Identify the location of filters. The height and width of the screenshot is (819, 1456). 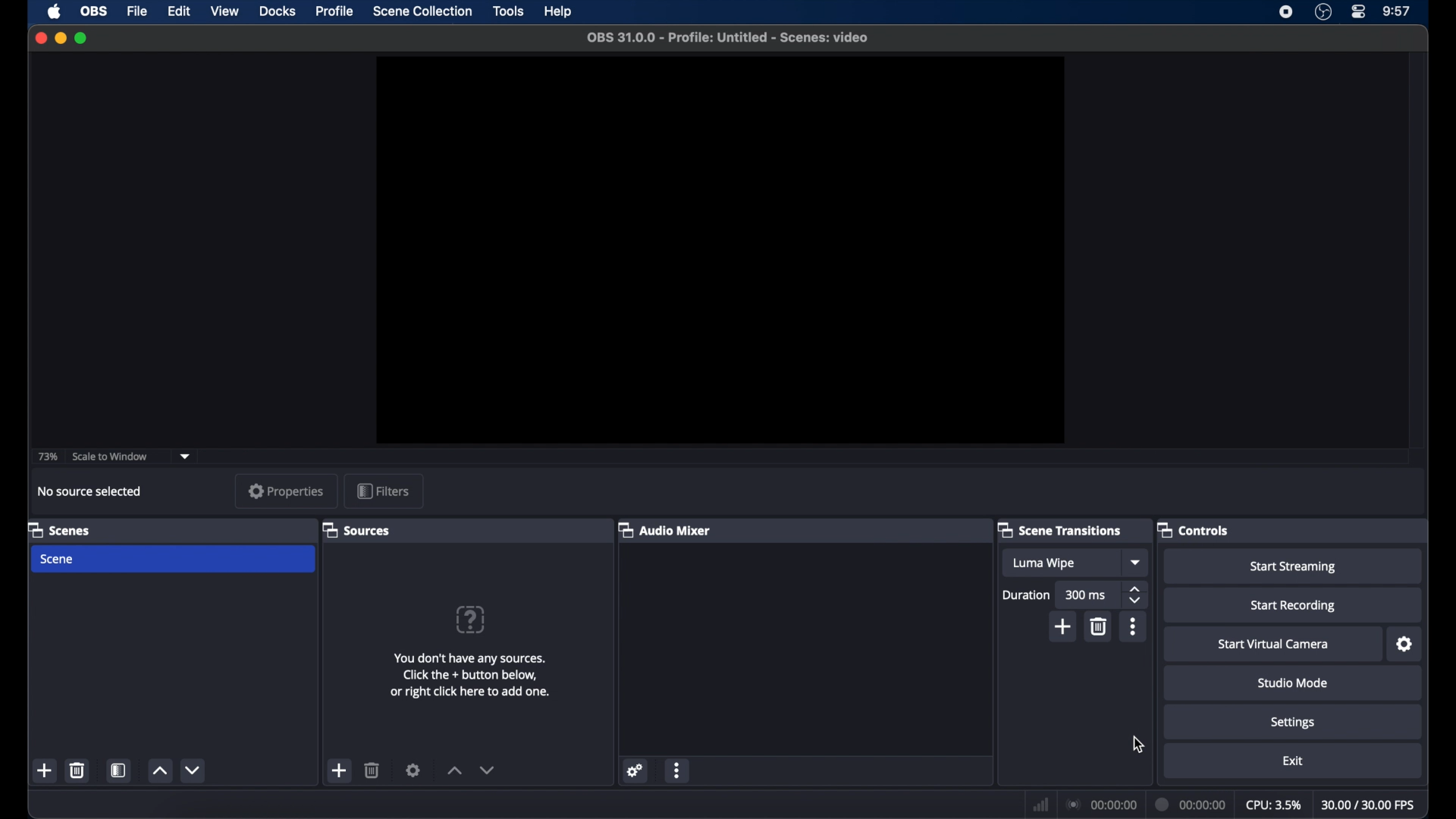
(383, 491).